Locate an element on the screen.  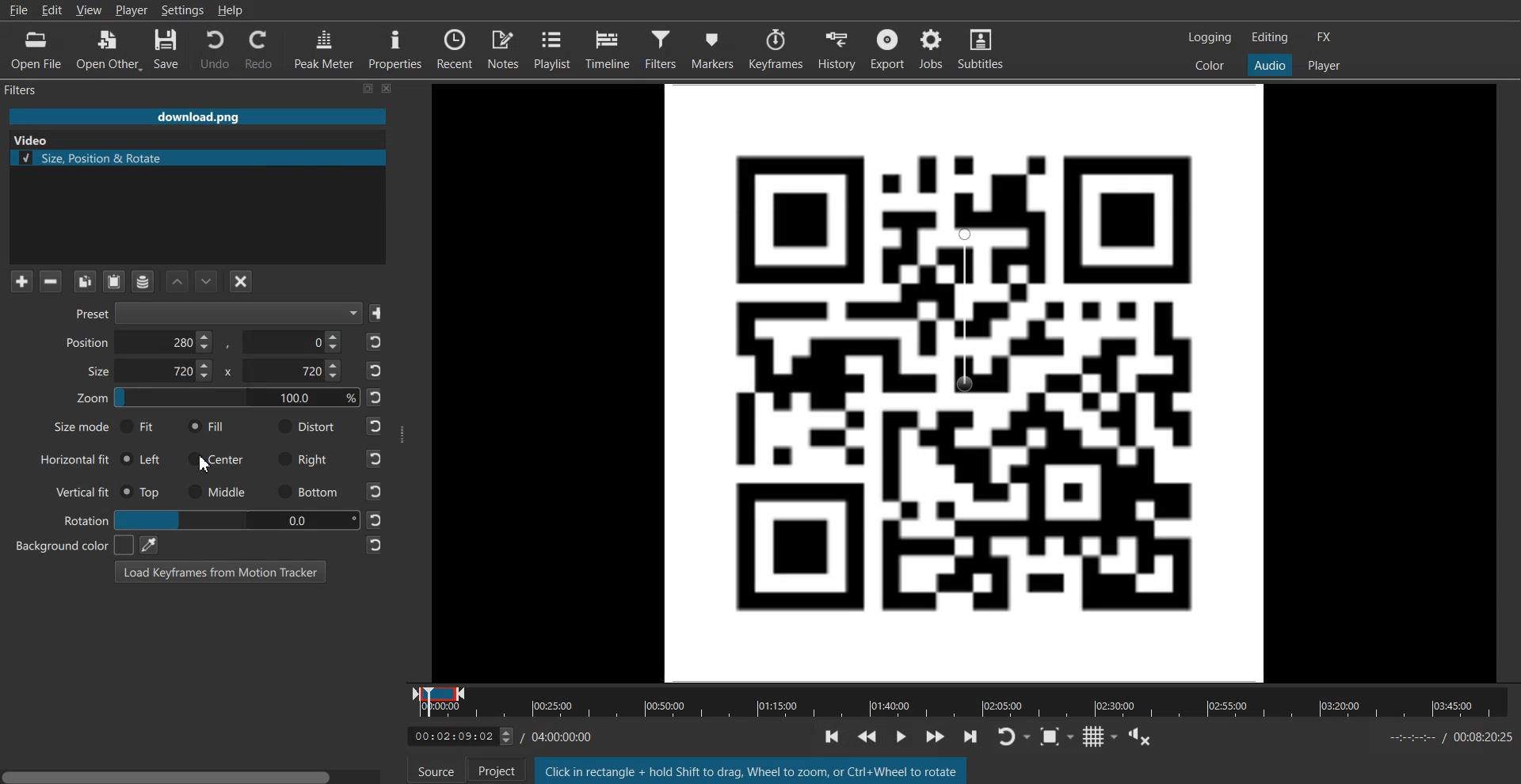
Show the volume control is located at coordinates (1146, 739).